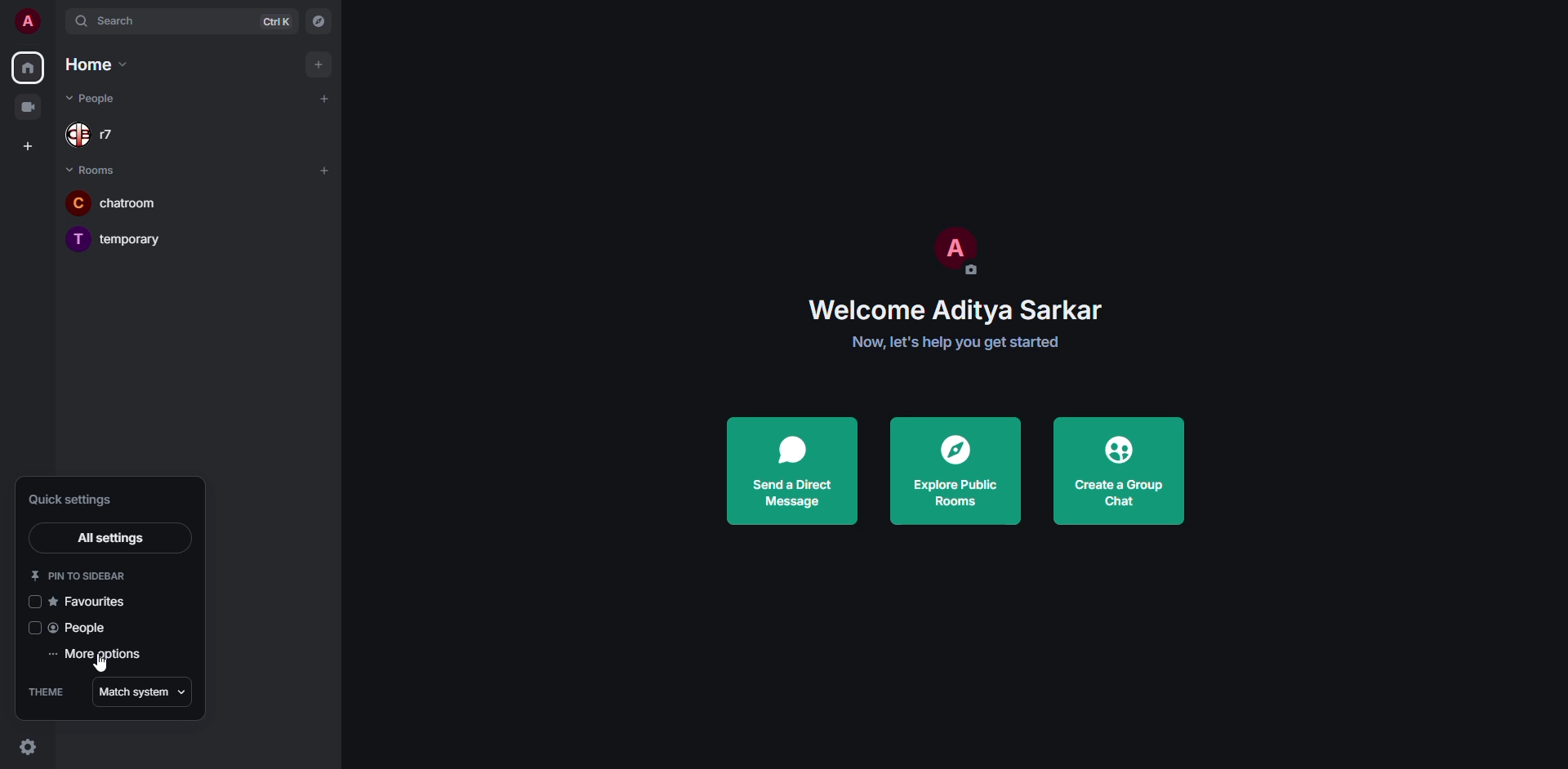 The image size is (1568, 769). I want to click on chatroom, so click(131, 202).